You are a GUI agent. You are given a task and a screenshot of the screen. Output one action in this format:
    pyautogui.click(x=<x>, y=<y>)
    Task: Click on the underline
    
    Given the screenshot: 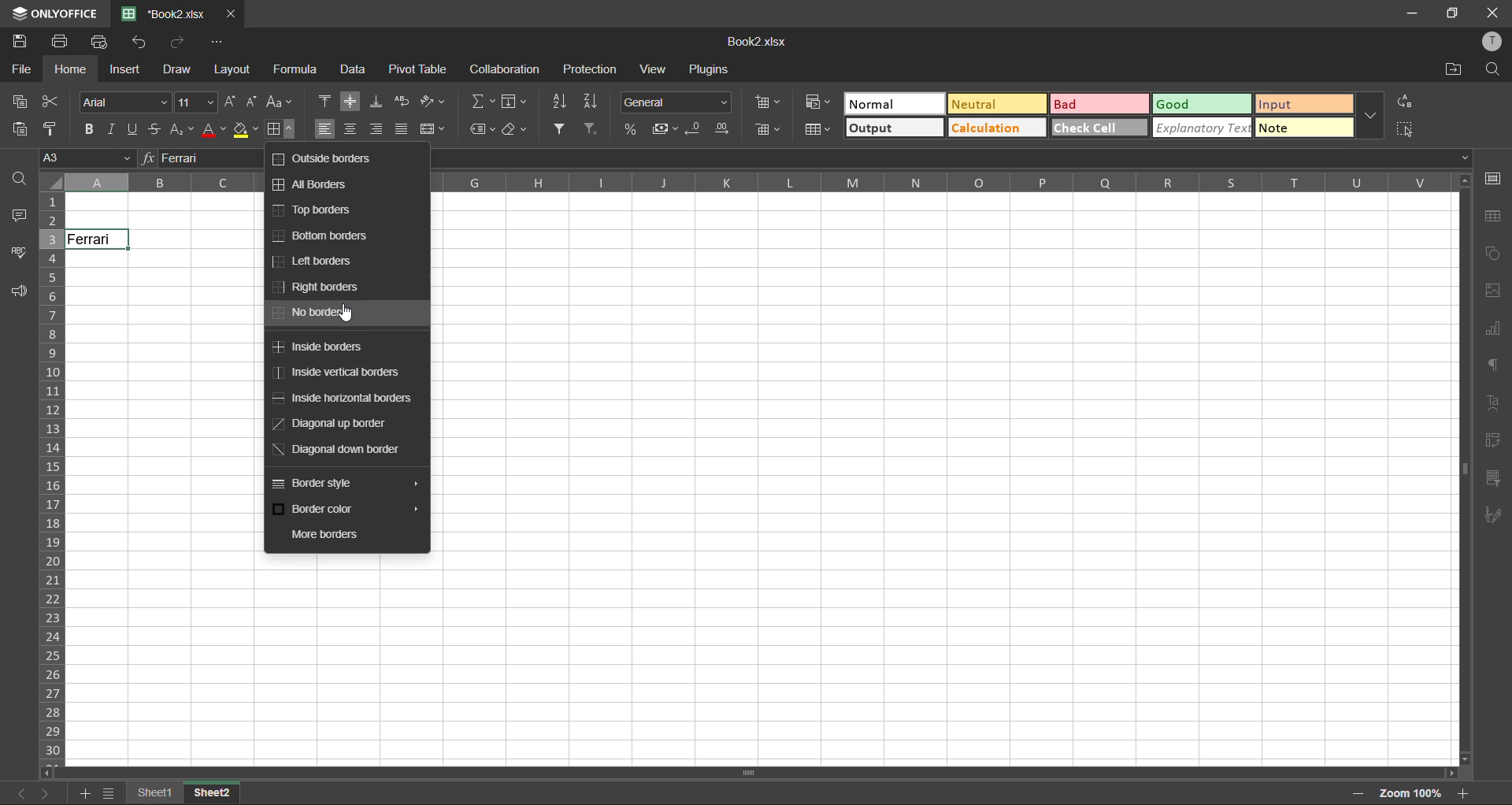 What is the action you would take?
    pyautogui.click(x=135, y=130)
    